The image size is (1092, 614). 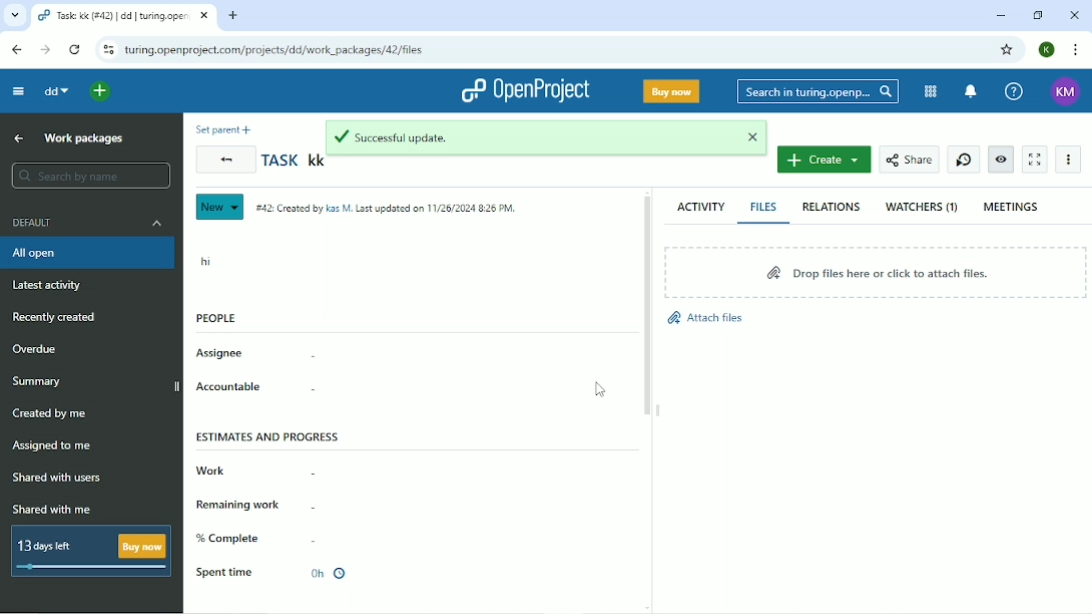 I want to click on Reload this page, so click(x=75, y=48).